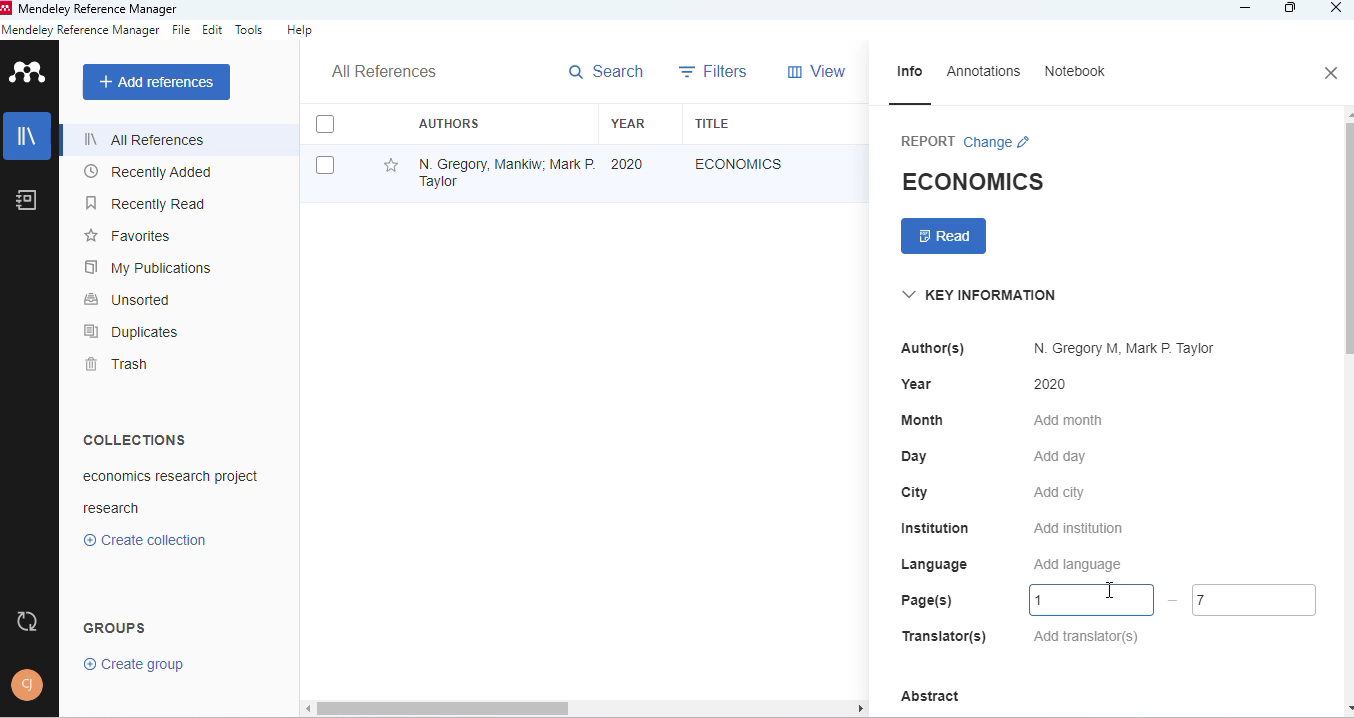 The height and width of the screenshot is (718, 1354). I want to click on add language, so click(1077, 565).